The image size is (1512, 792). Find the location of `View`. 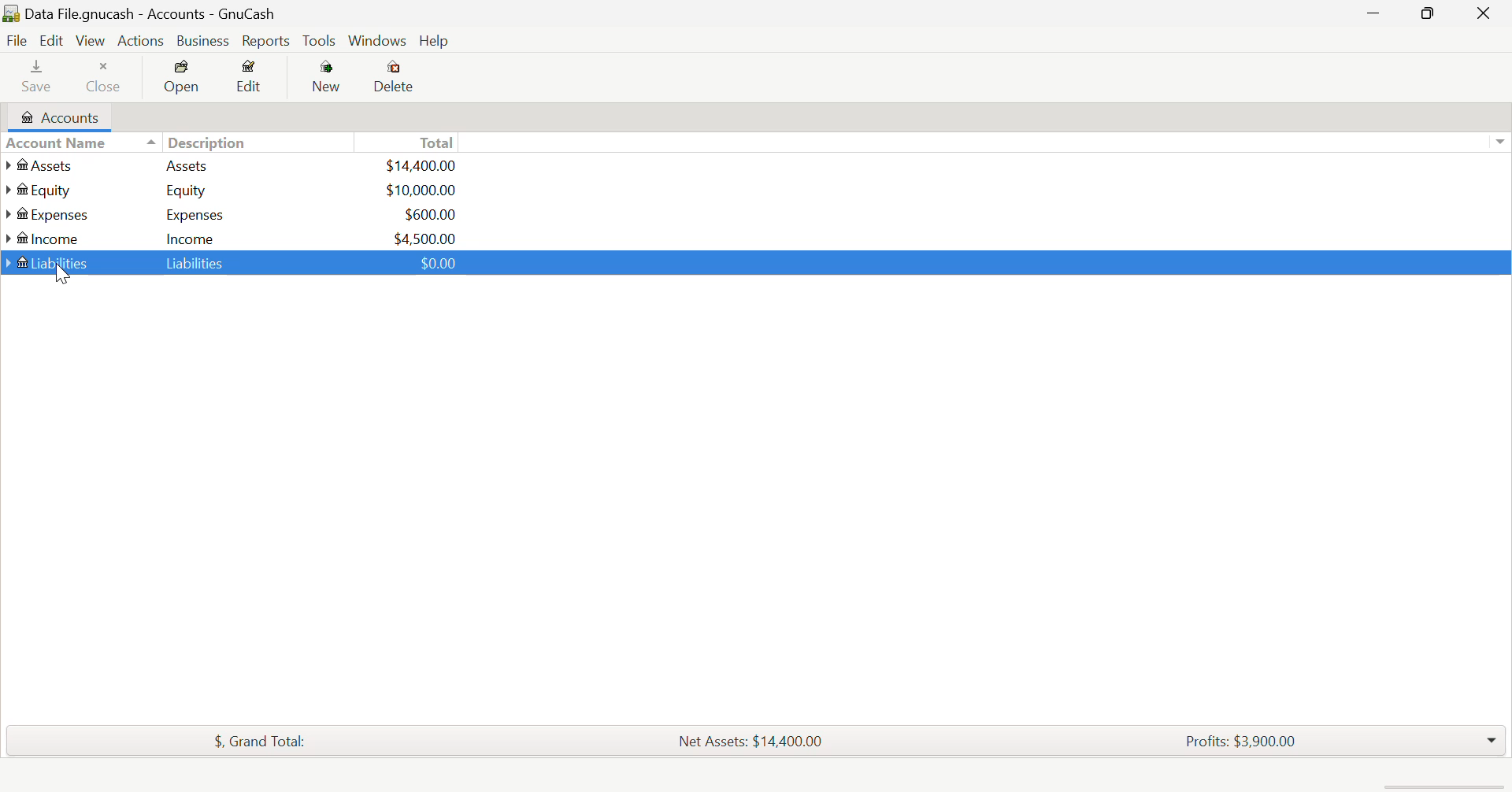

View is located at coordinates (89, 41).